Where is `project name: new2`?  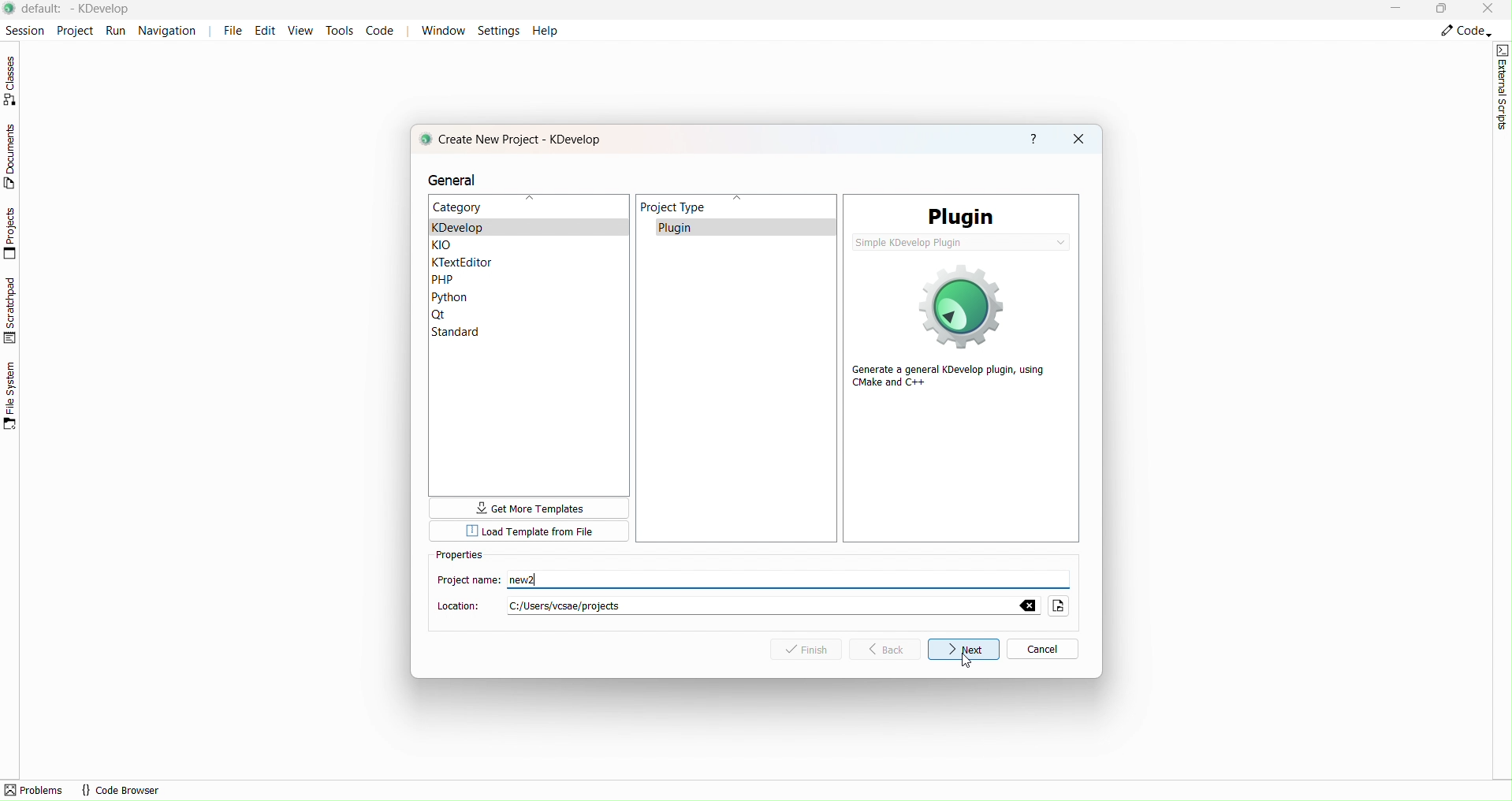 project name: new2 is located at coordinates (497, 580).